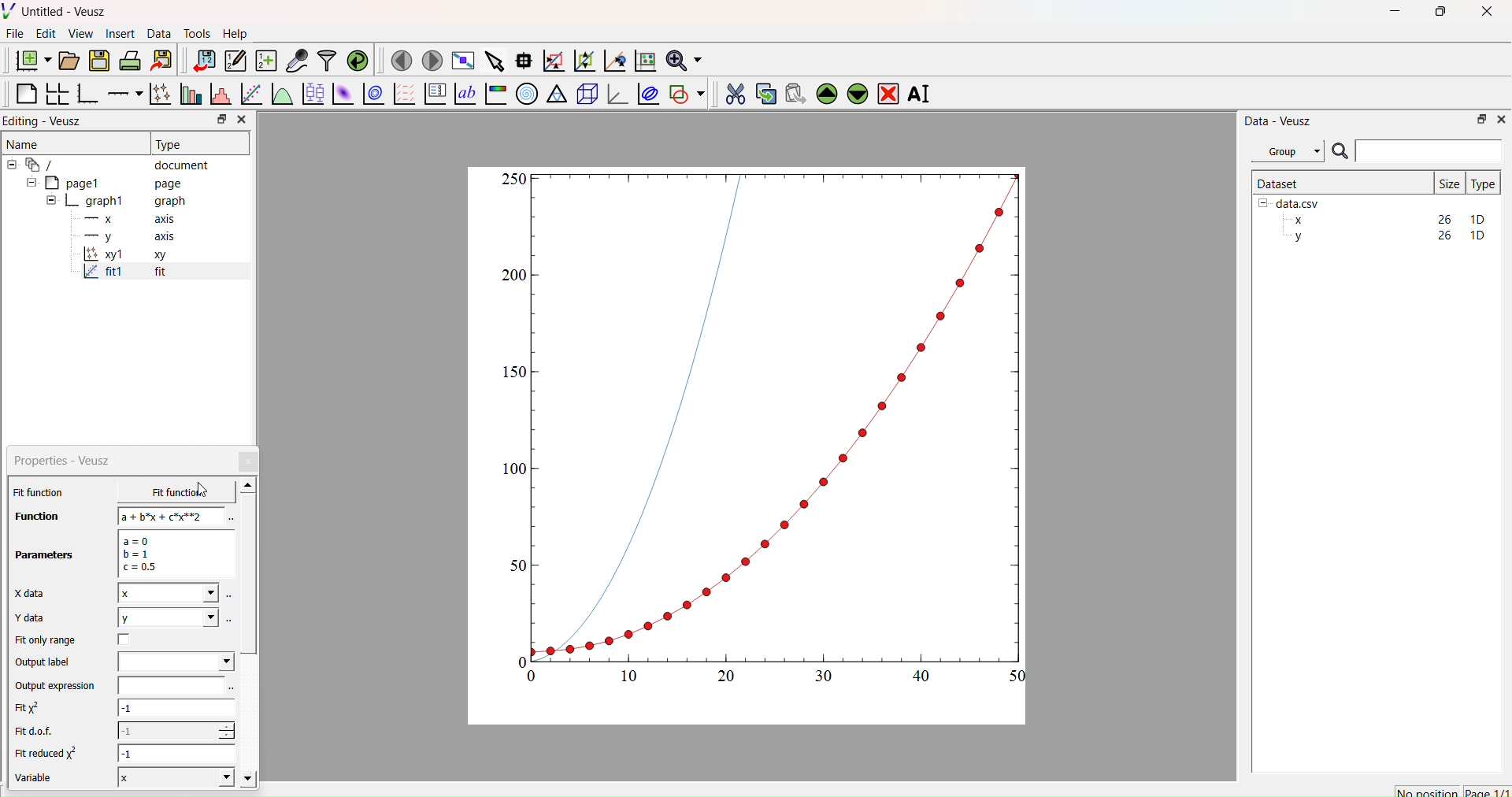 This screenshot has height=797, width=1512. Describe the element at coordinates (176, 710) in the screenshot. I see `-1` at that location.